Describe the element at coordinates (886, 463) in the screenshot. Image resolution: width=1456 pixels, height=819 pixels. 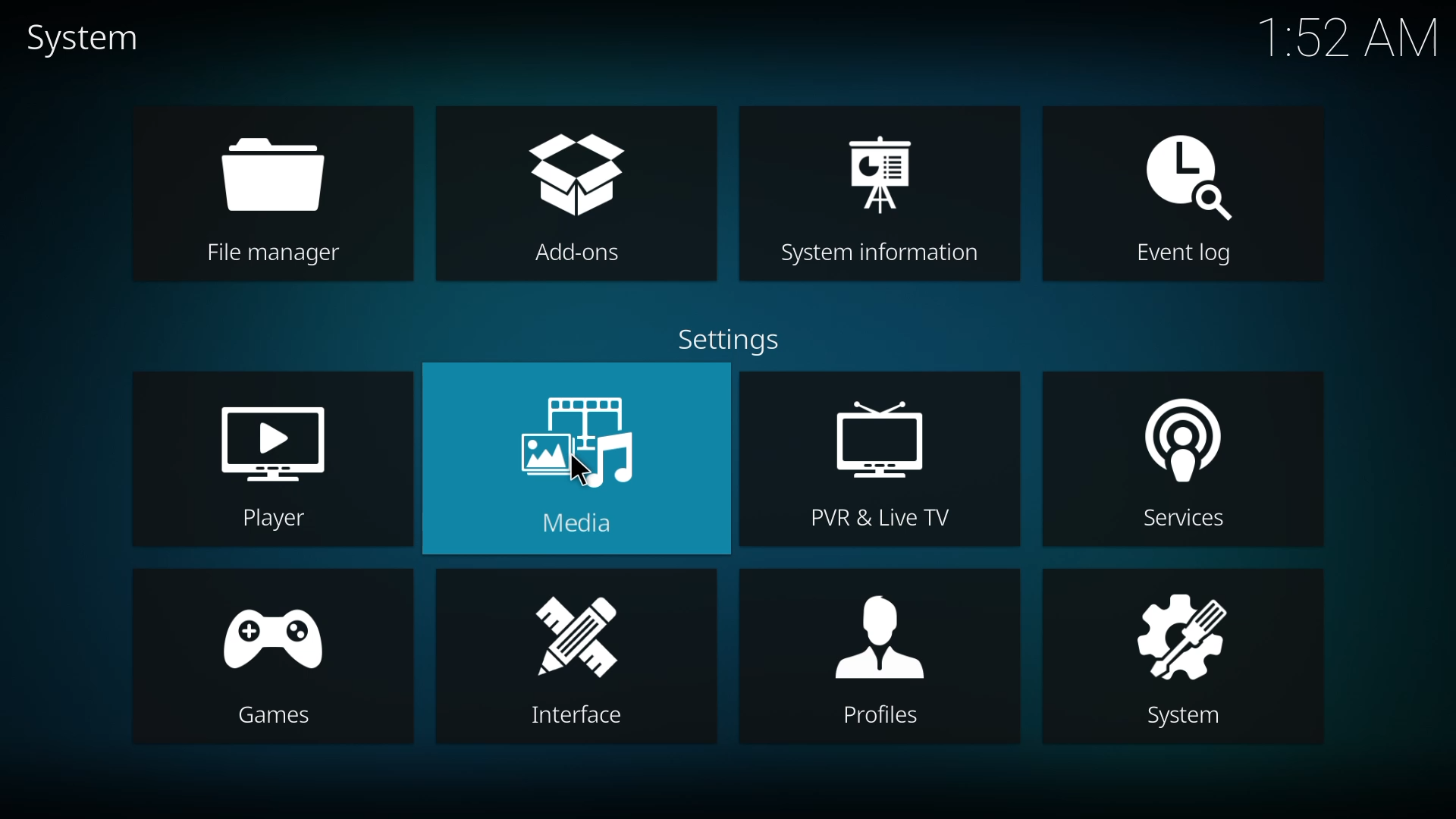
I see `pvr & live tv` at that location.